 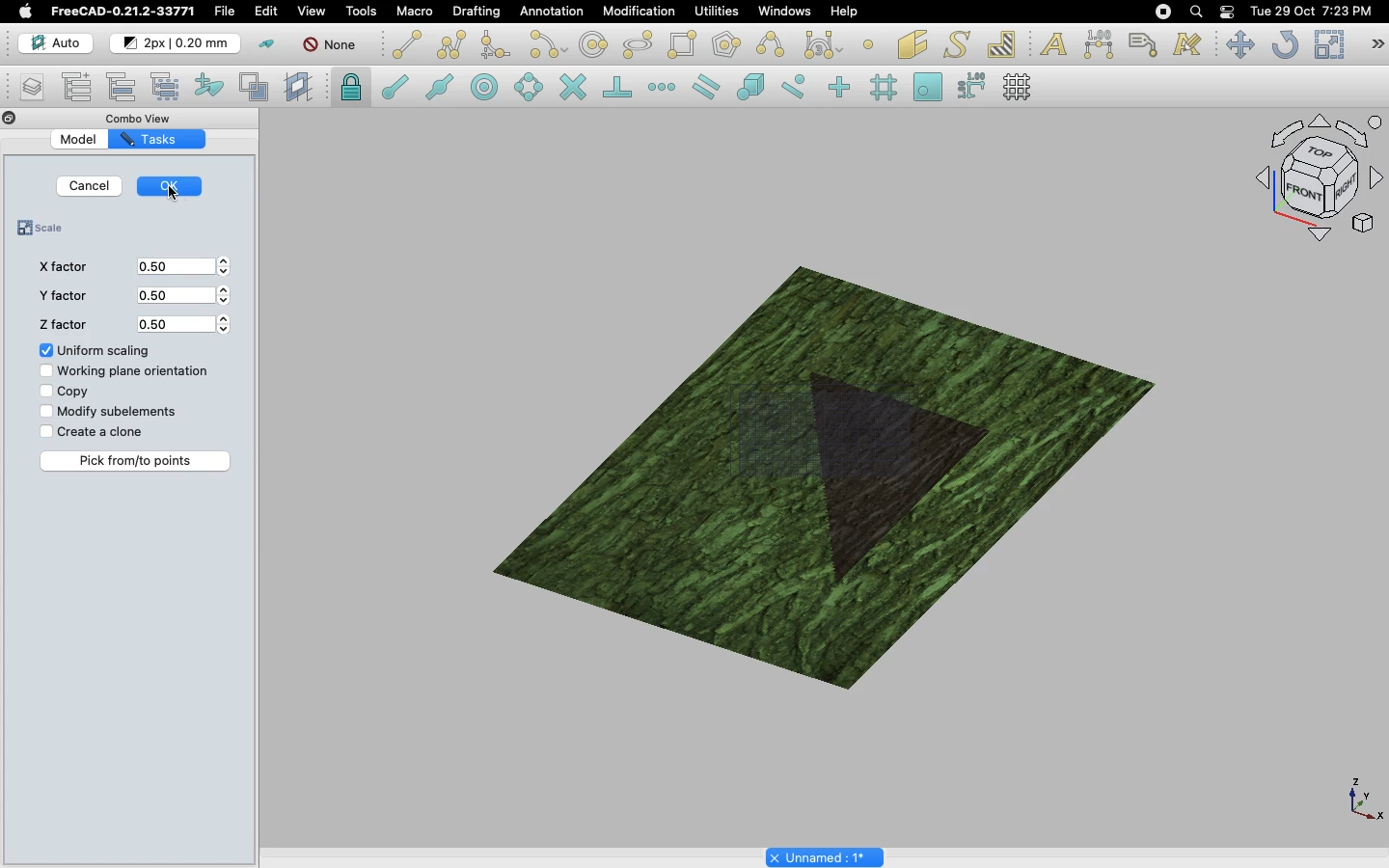 What do you see at coordinates (364, 12) in the screenshot?
I see `Tools` at bounding box center [364, 12].